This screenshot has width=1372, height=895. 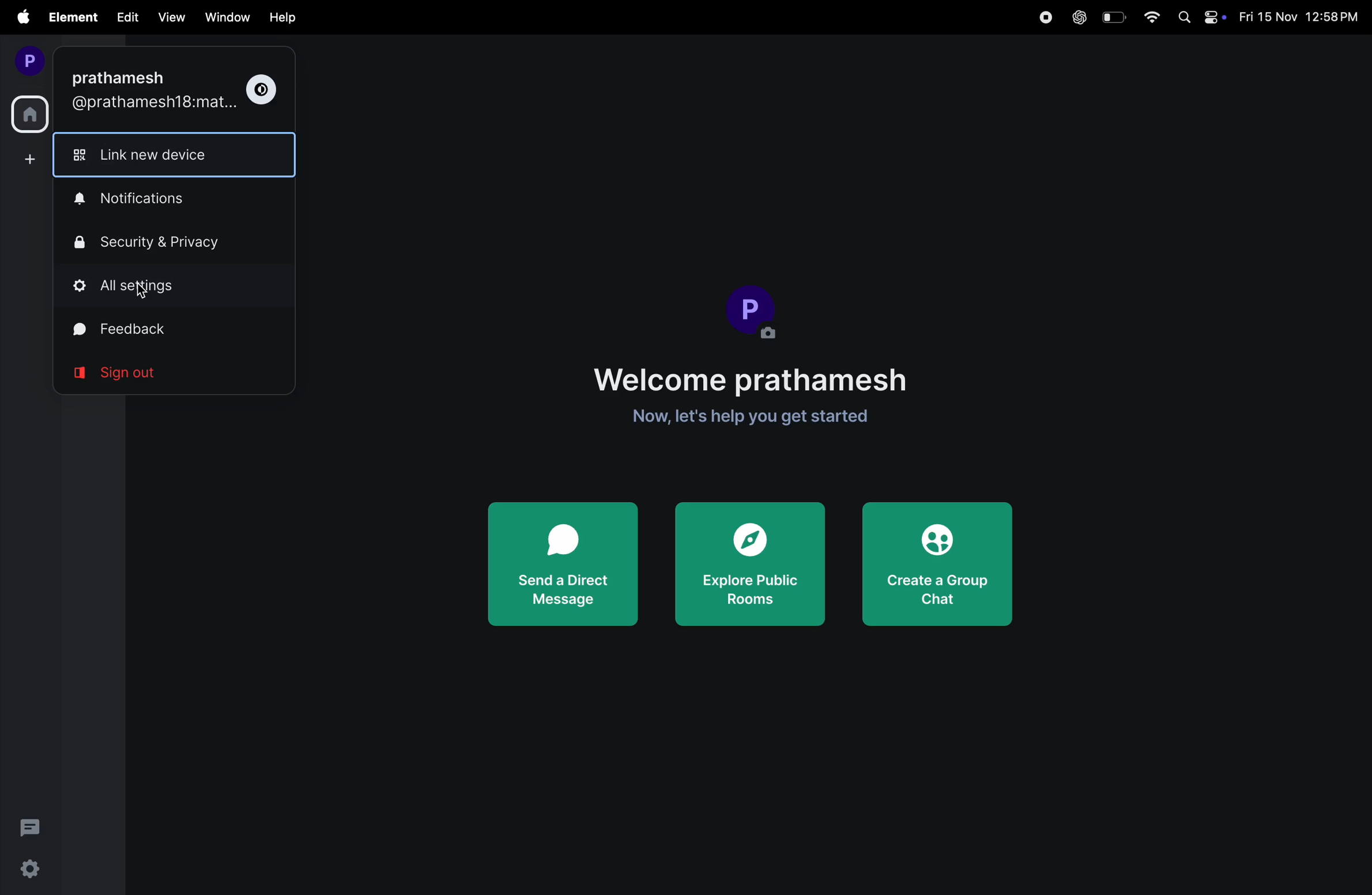 I want to click on battery, so click(x=1113, y=17).